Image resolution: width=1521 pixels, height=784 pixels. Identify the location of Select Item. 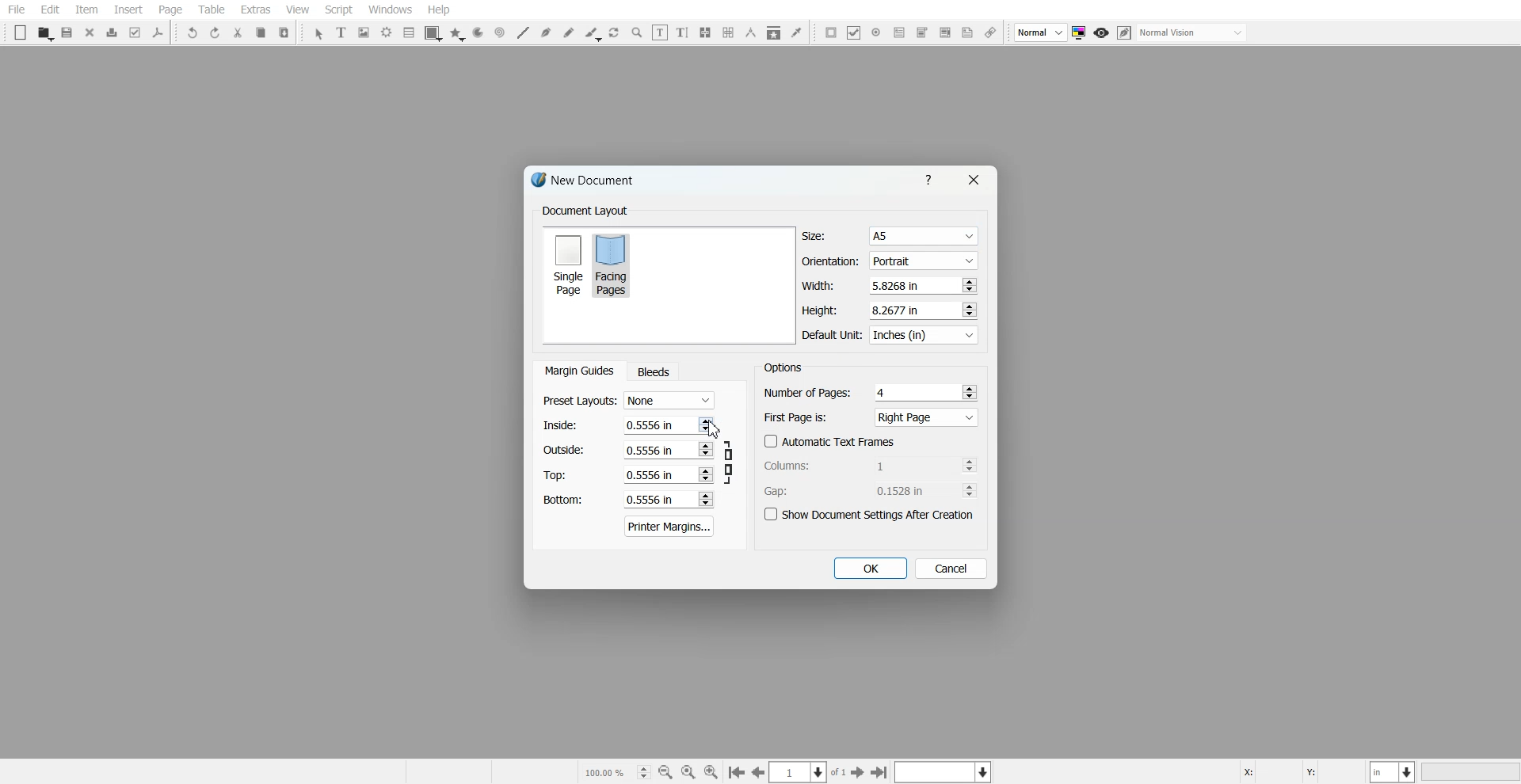
(318, 34).